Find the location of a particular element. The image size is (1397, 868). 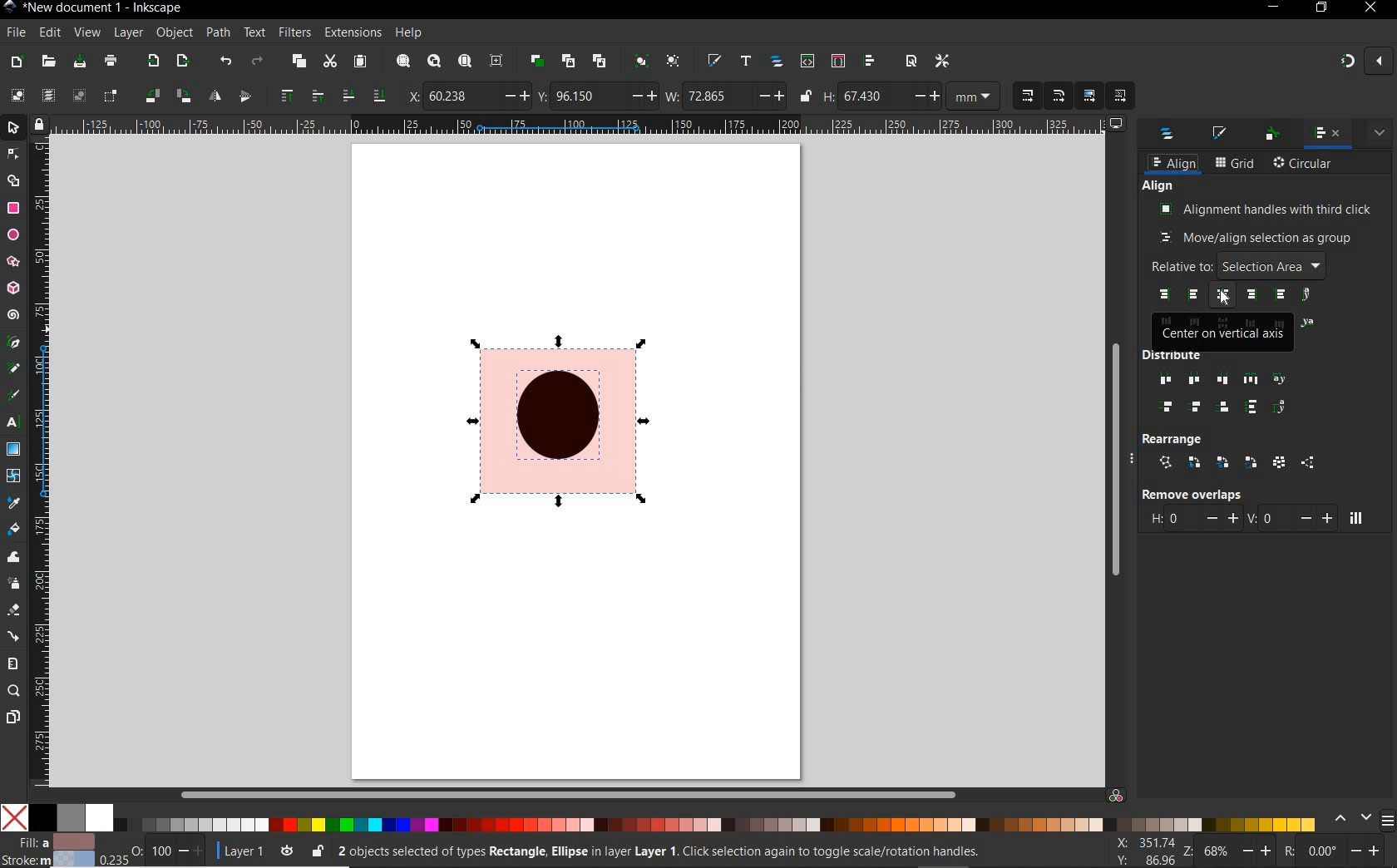

open selector is located at coordinates (837, 61).